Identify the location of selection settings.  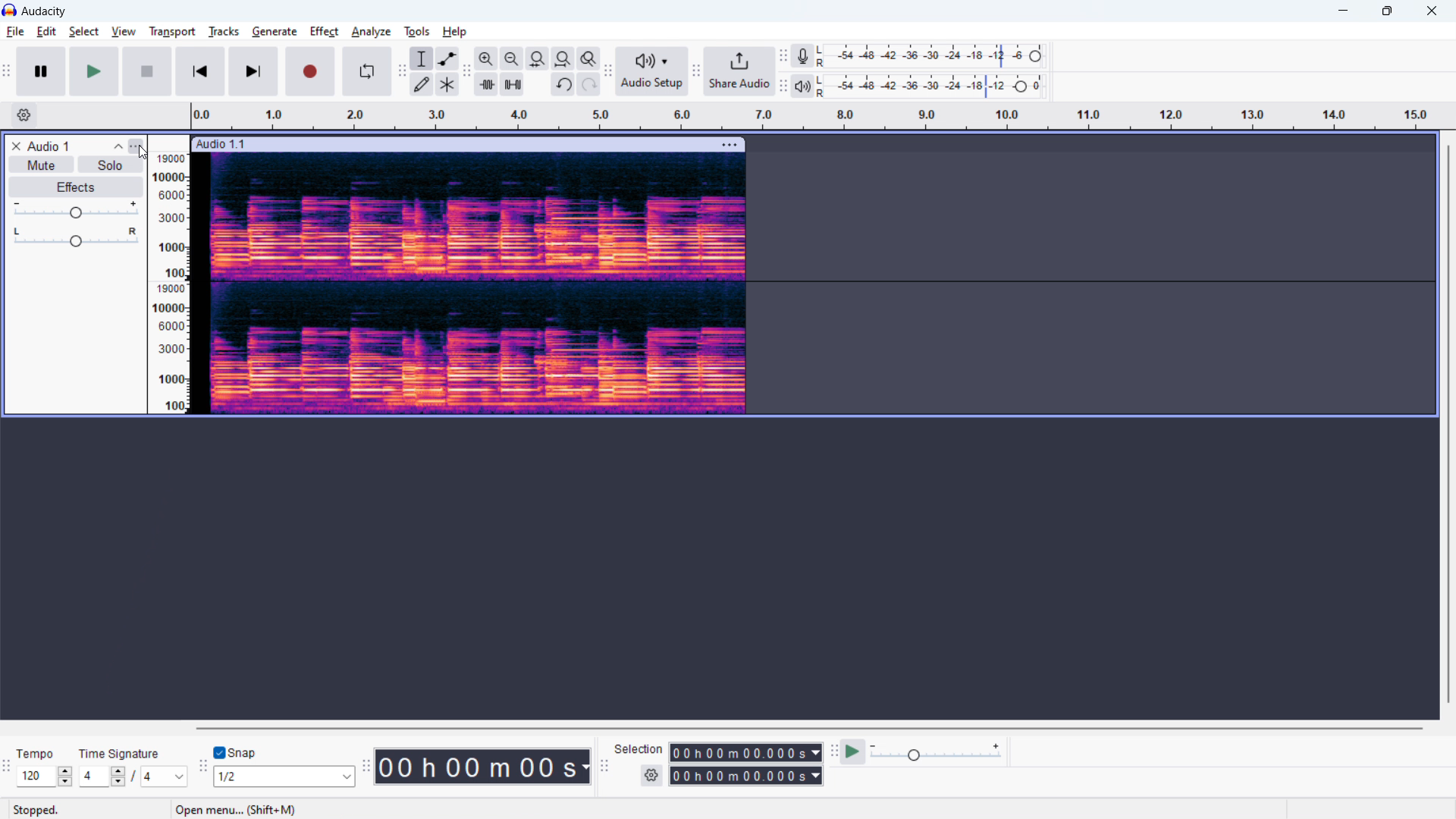
(651, 776).